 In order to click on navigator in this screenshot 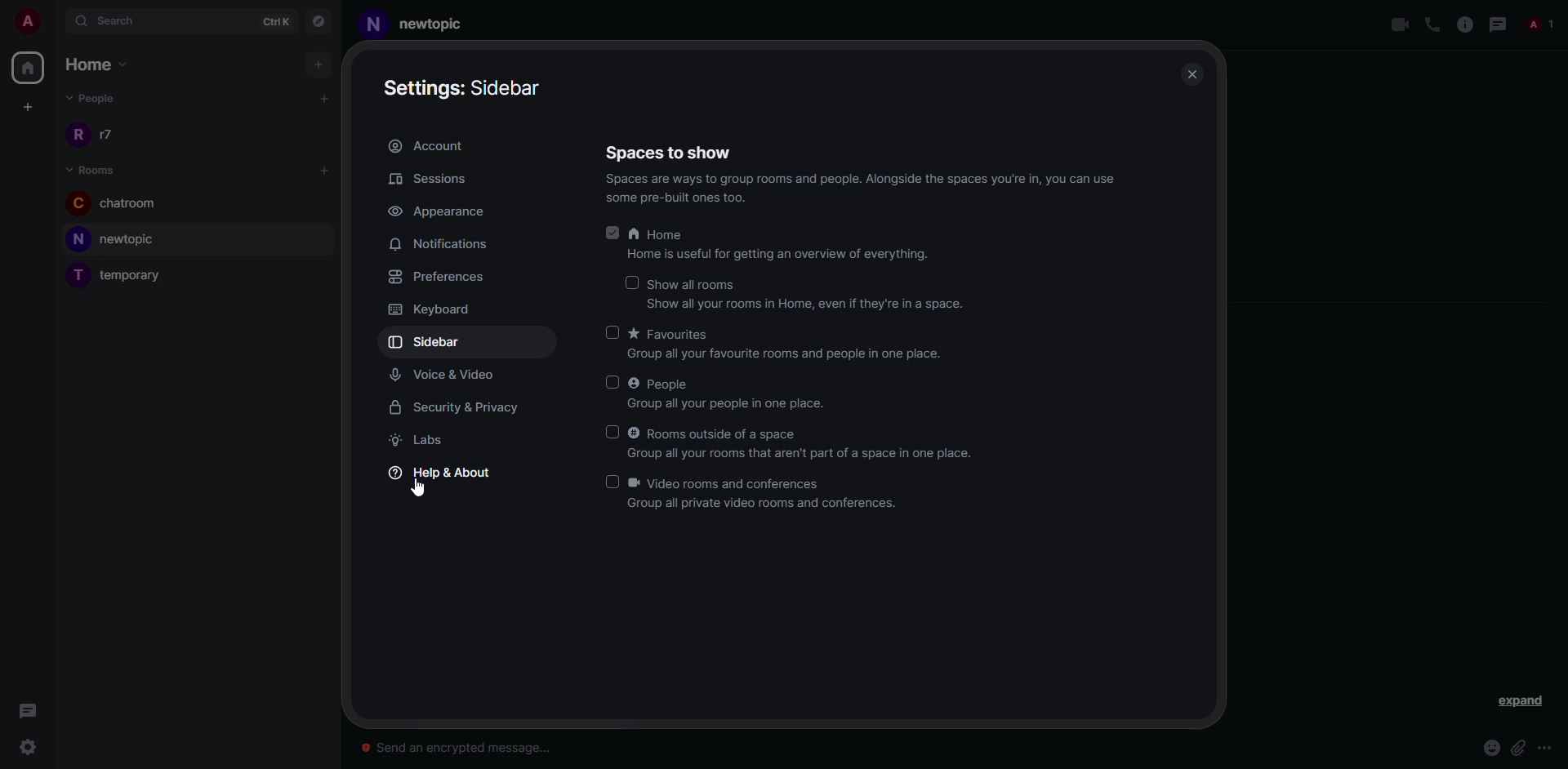, I will do `click(319, 20)`.